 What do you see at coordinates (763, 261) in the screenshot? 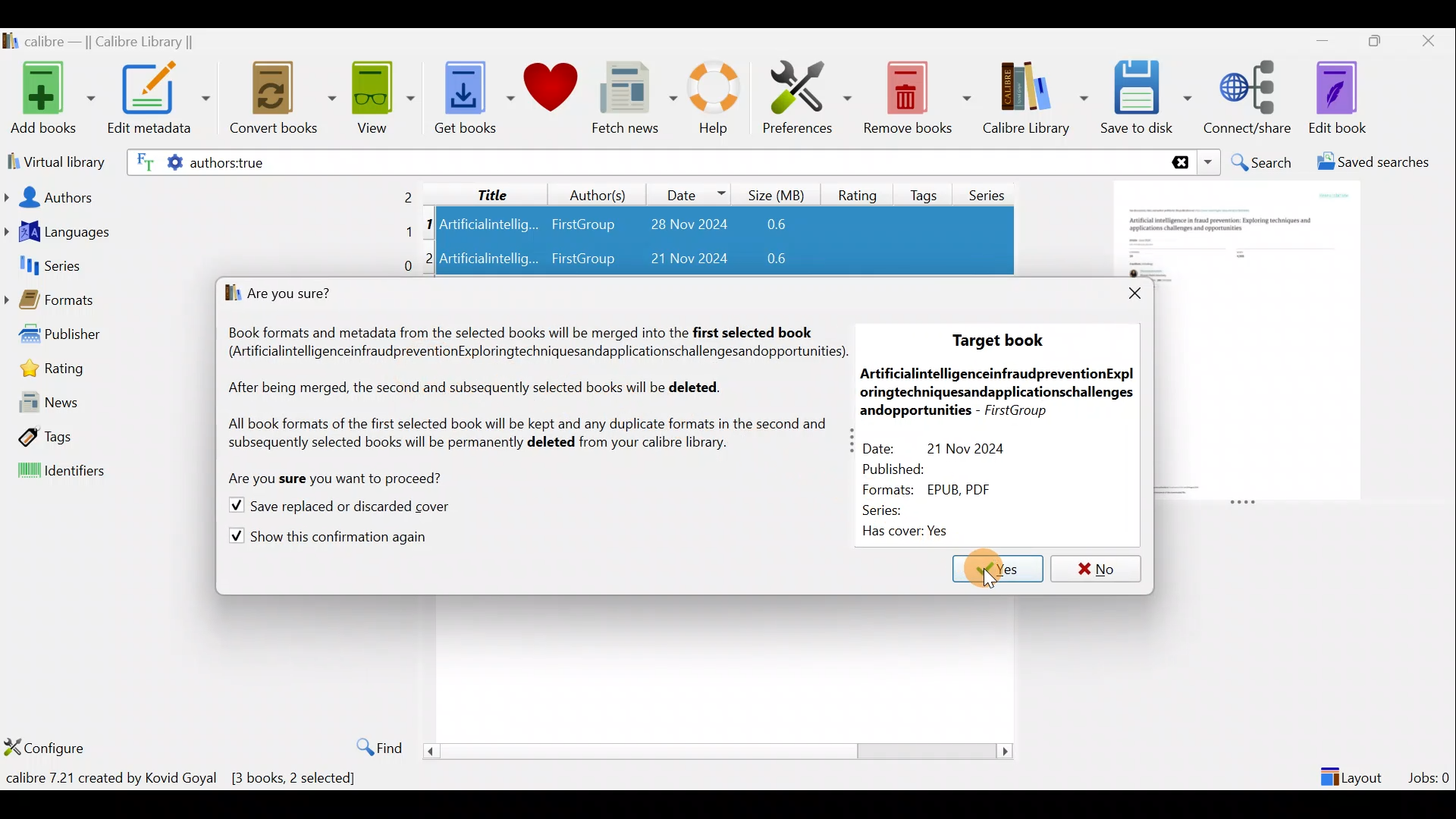
I see `0.6` at bounding box center [763, 261].